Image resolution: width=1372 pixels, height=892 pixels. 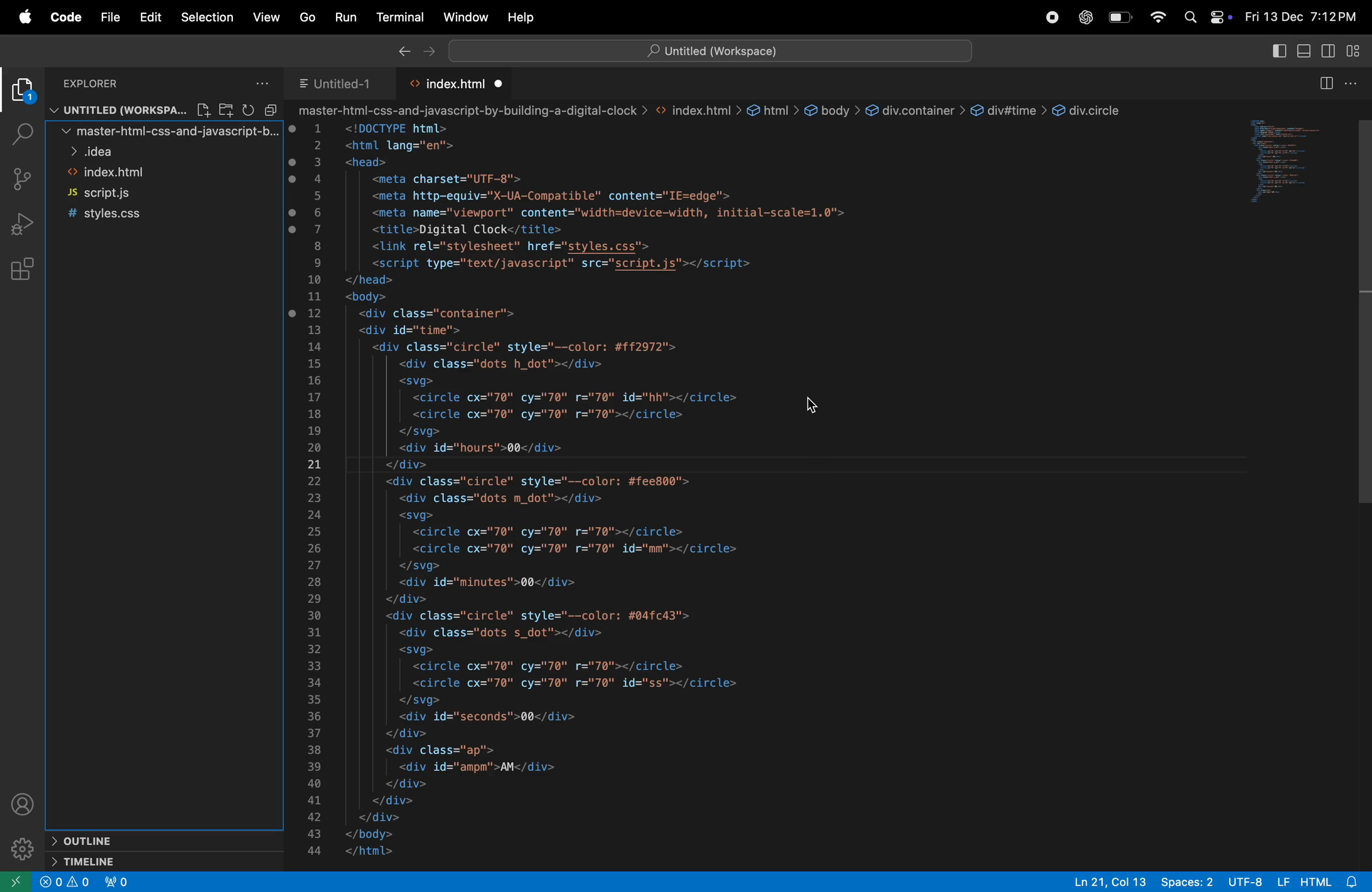 I want to click on profile, so click(x=27, y=807).